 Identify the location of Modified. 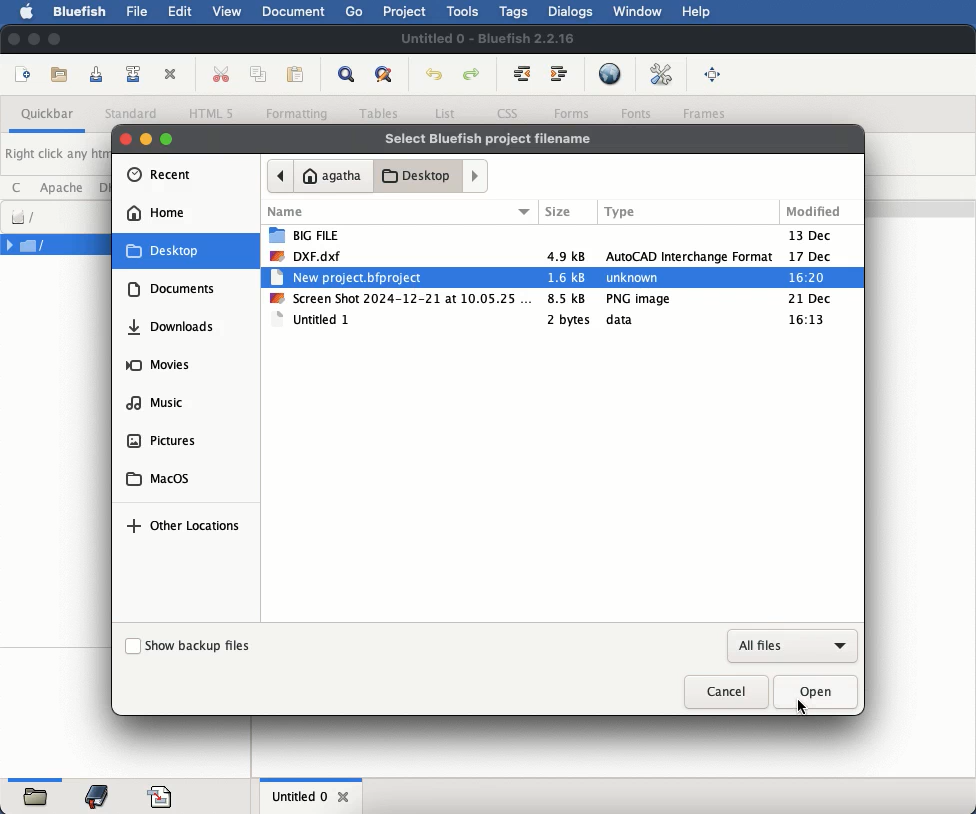
(816, 205).